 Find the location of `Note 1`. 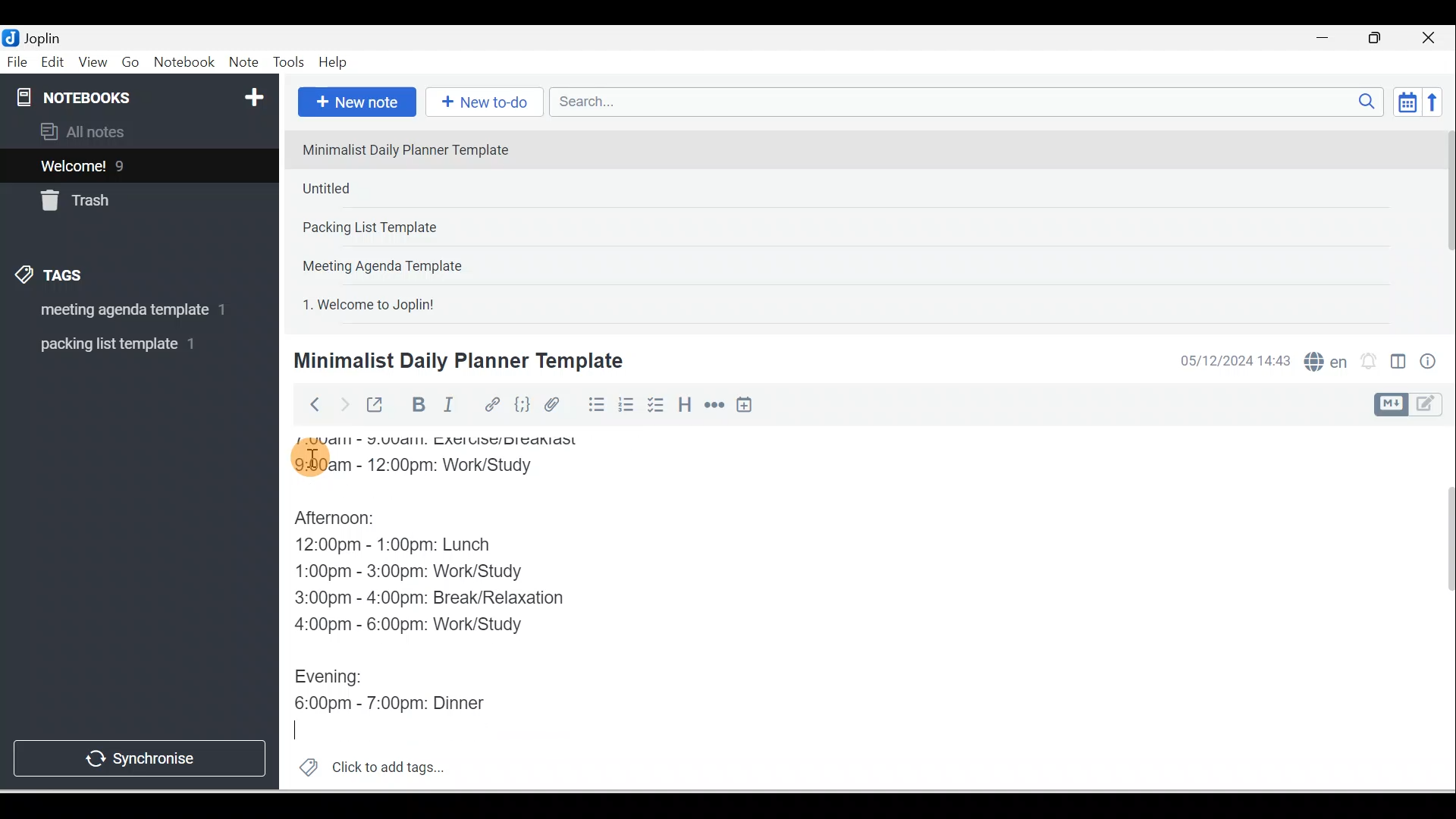

Note 1 is located at coordinates (416, 149).